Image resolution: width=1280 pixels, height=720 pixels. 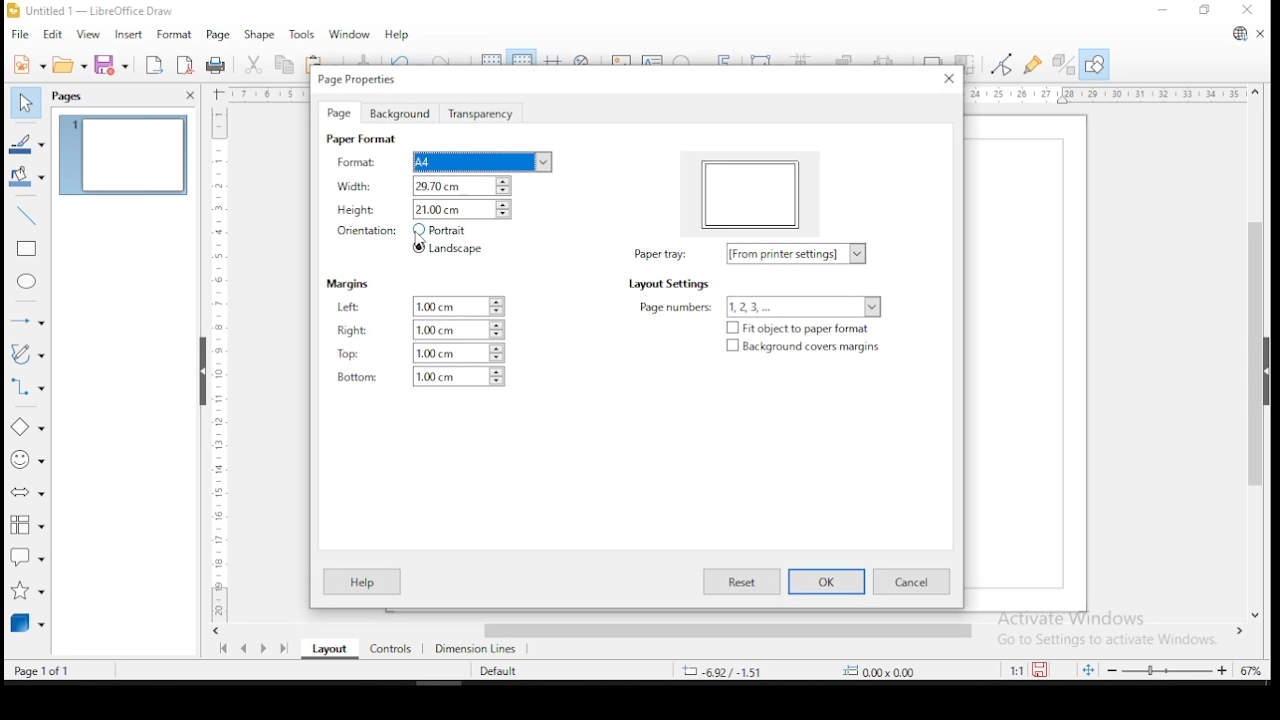 What do you see at coordinates (1004, 64) in the screenshot?
I see `toggle point edit mode` at bounding box center [1004, 64].